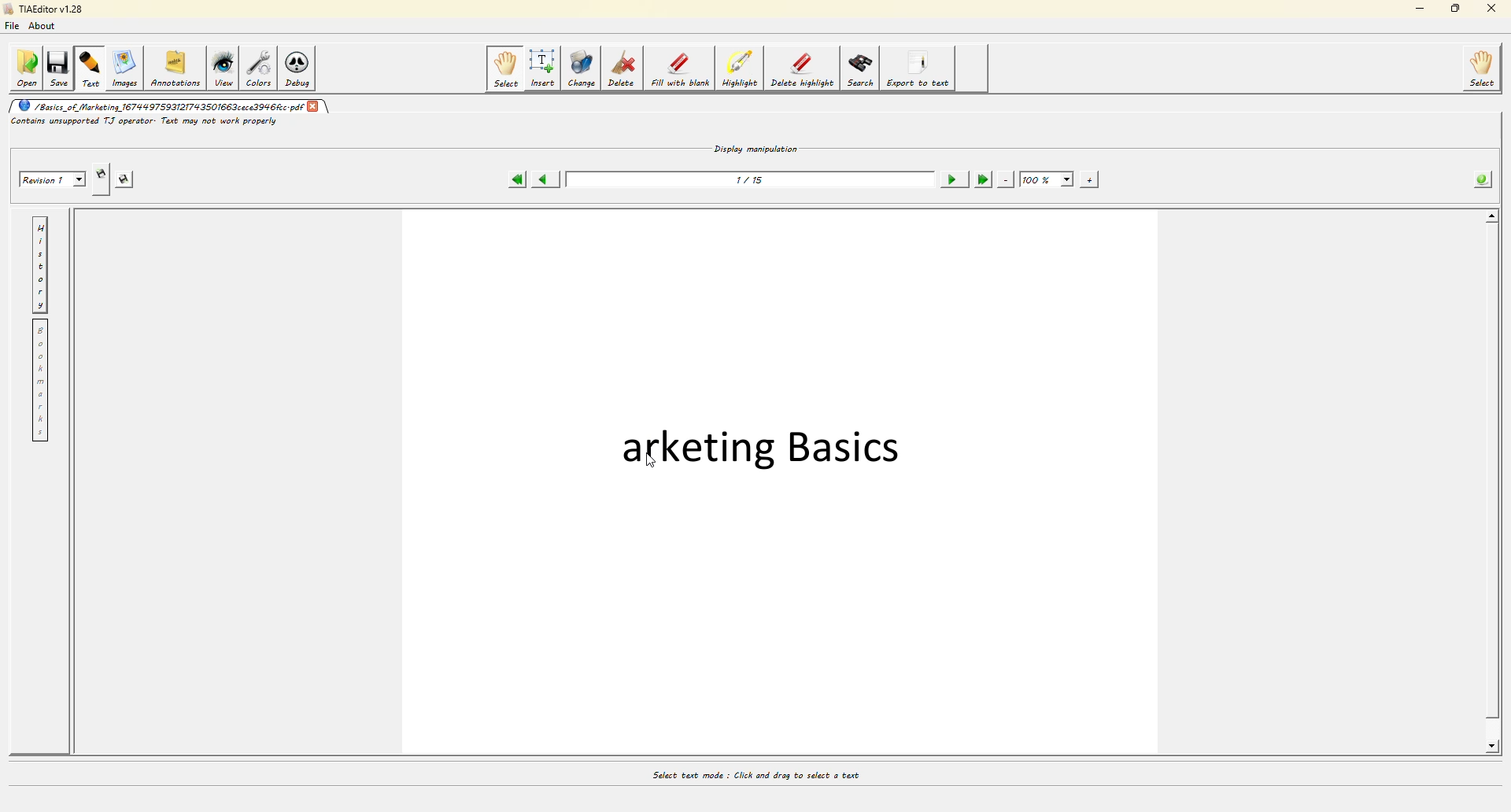  I want to click on colors, so click(260, 68).